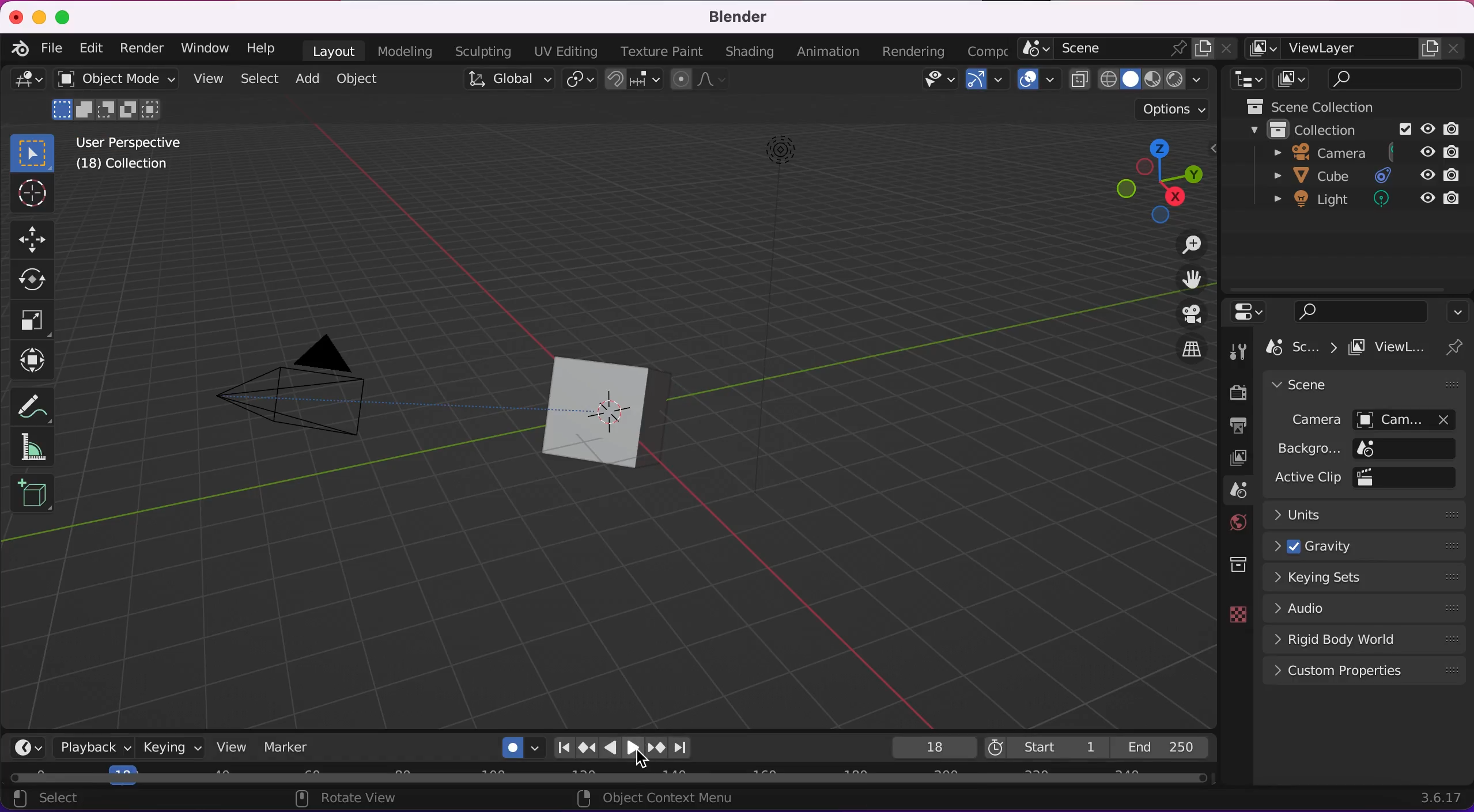 Image resolution: width=1474 pixels, height=812 pixels. Describe the element at coordinates (268, 48) in the screenshot. I see `help` at that location.